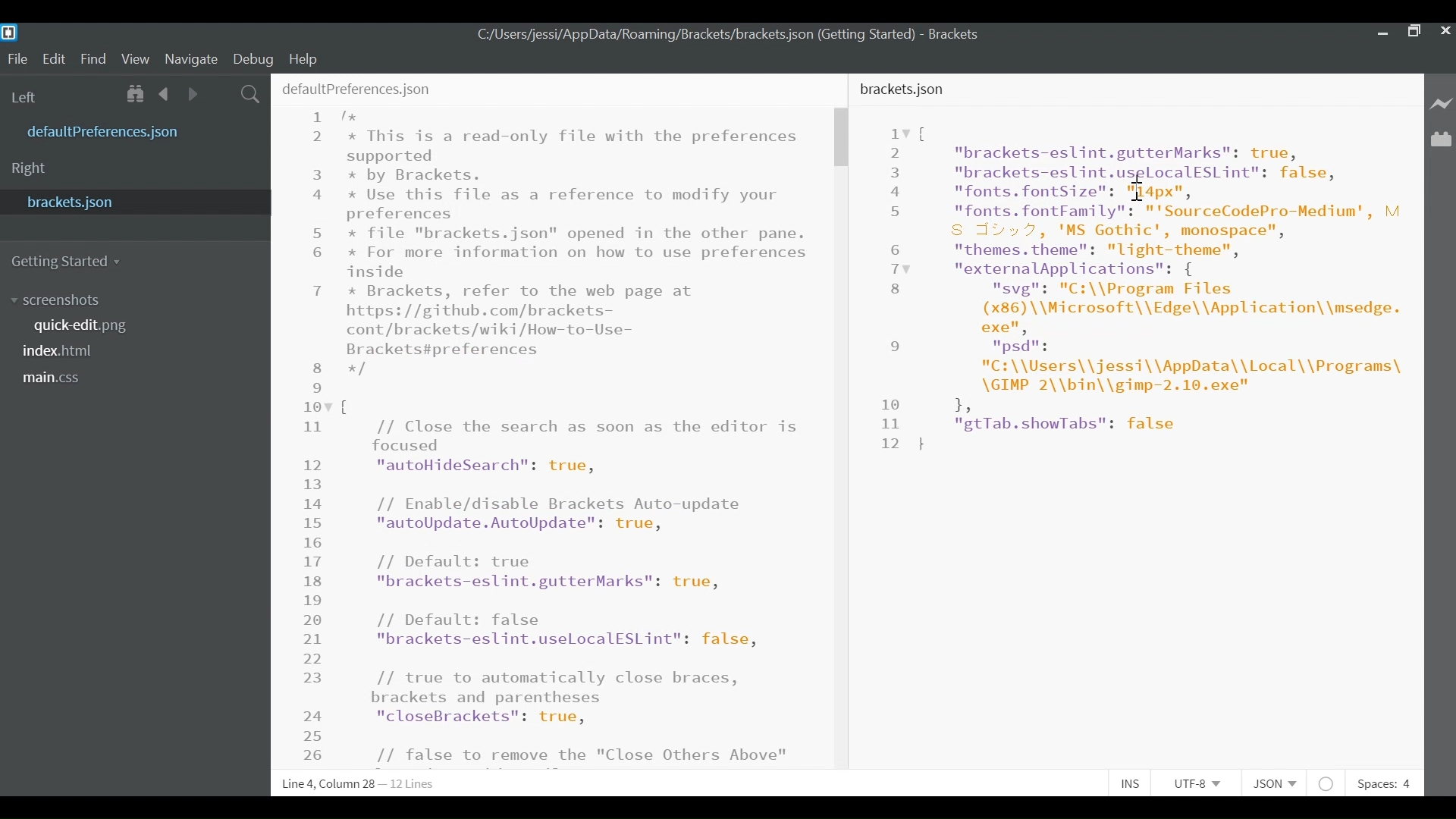 The image size is (1456, 819). I want to click on Find, so click(93, 60).